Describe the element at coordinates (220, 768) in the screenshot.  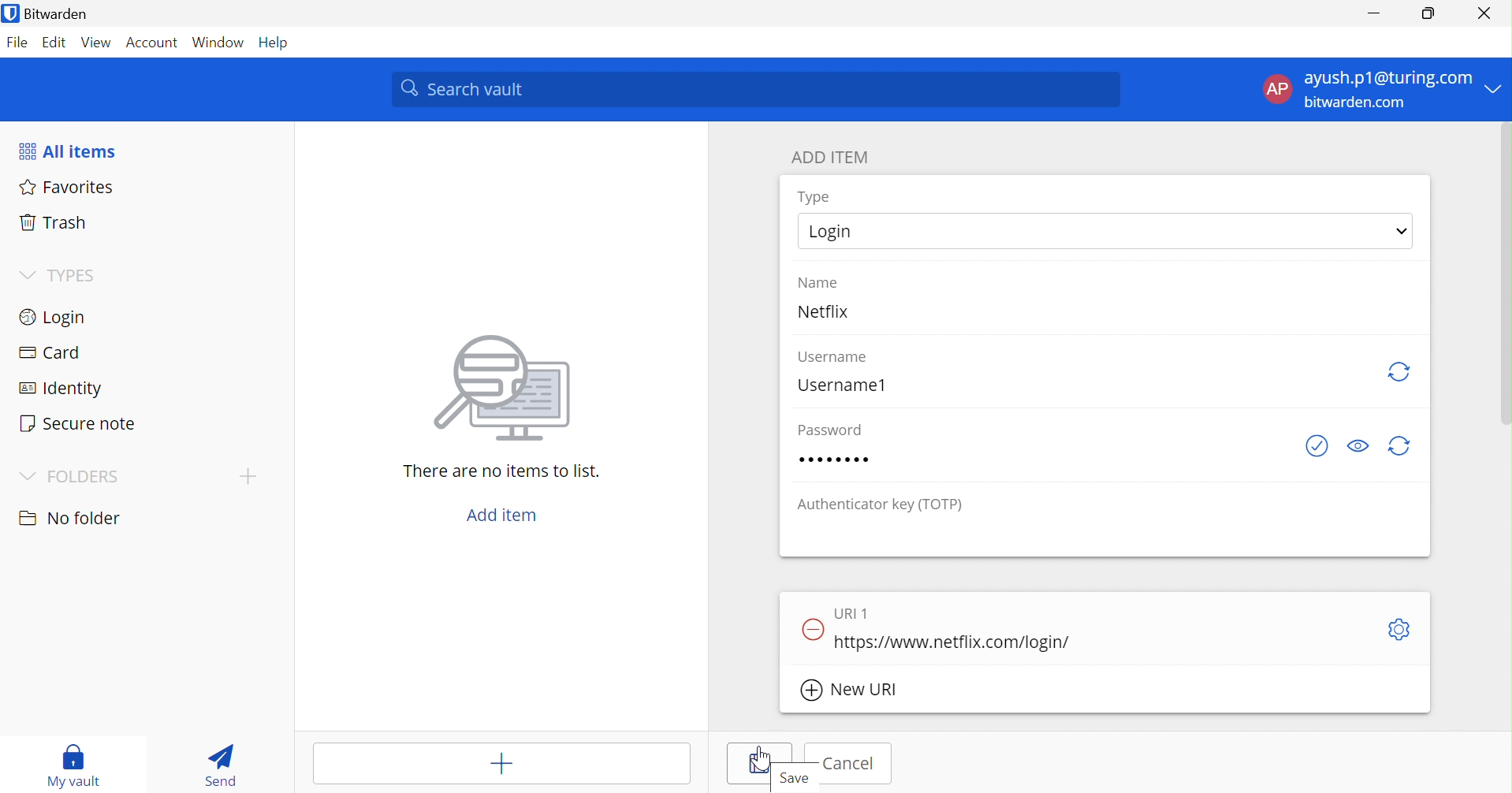
I see `Send` at that location.